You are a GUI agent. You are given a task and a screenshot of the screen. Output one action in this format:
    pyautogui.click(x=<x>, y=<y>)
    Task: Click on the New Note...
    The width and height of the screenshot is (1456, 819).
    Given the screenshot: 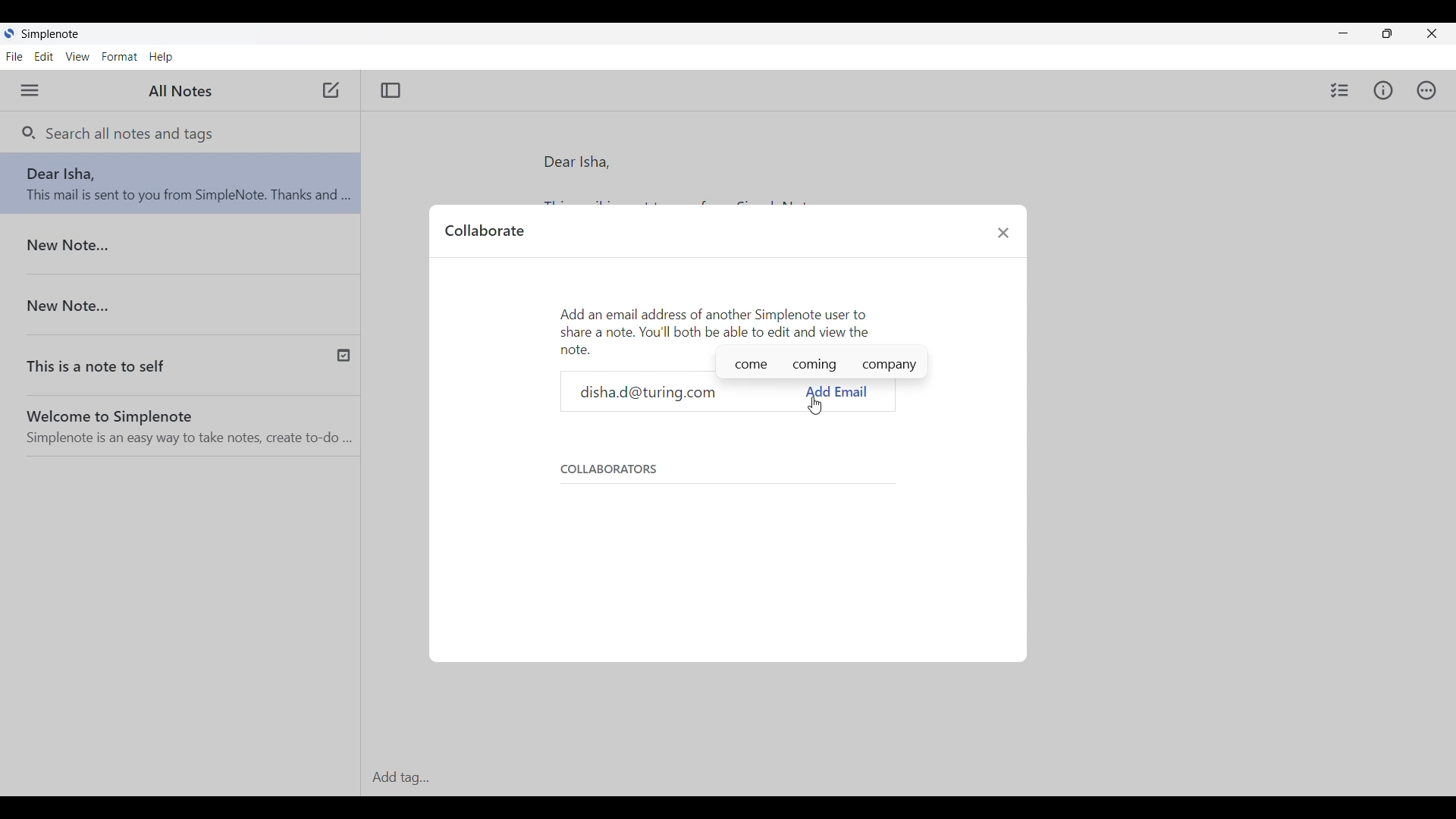 What is the action you would take?
    pyautogui.click(x=184, y=298)
    